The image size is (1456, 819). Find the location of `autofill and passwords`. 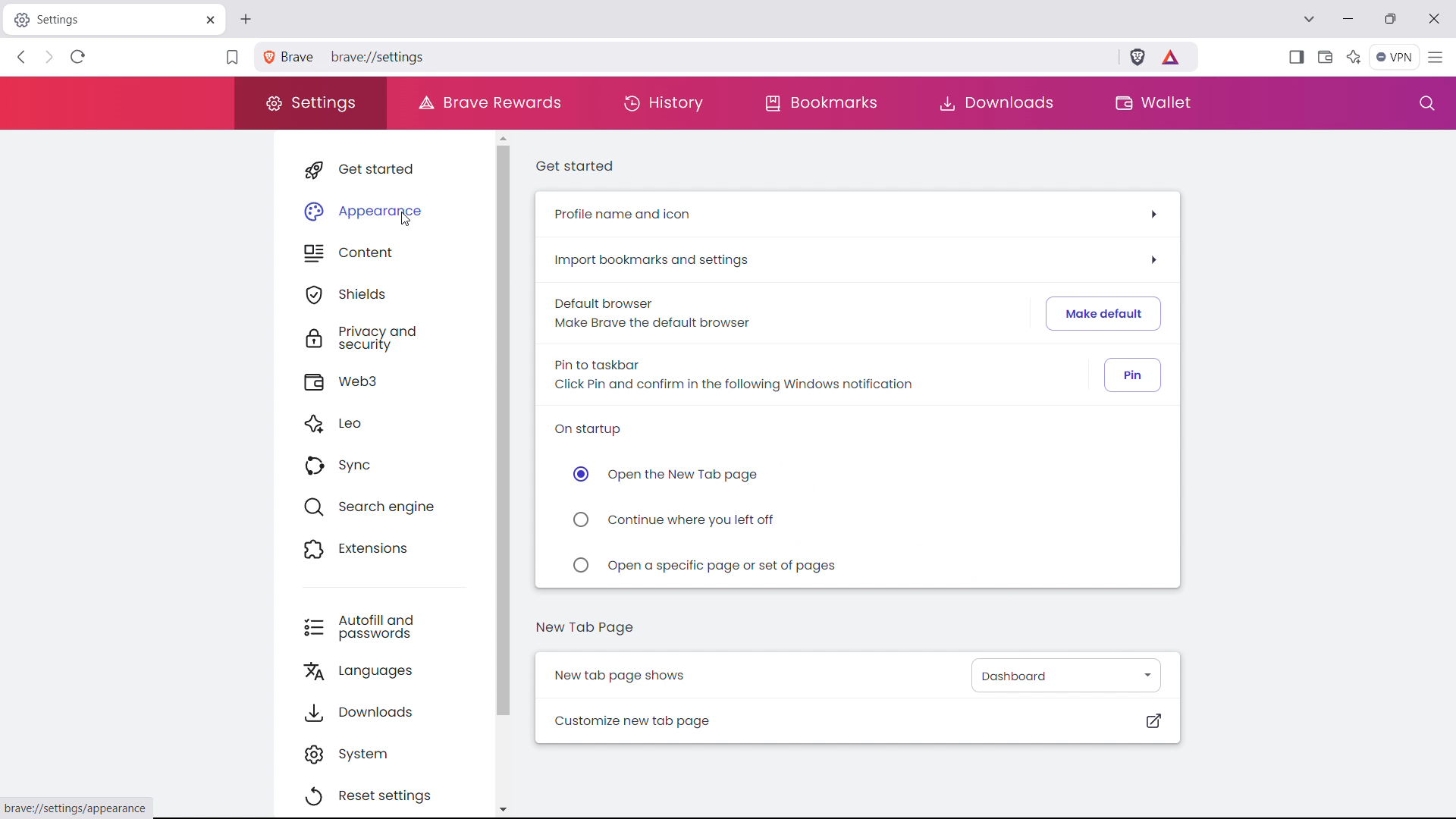

autofill and passwords is located at coordinates (384, 625).